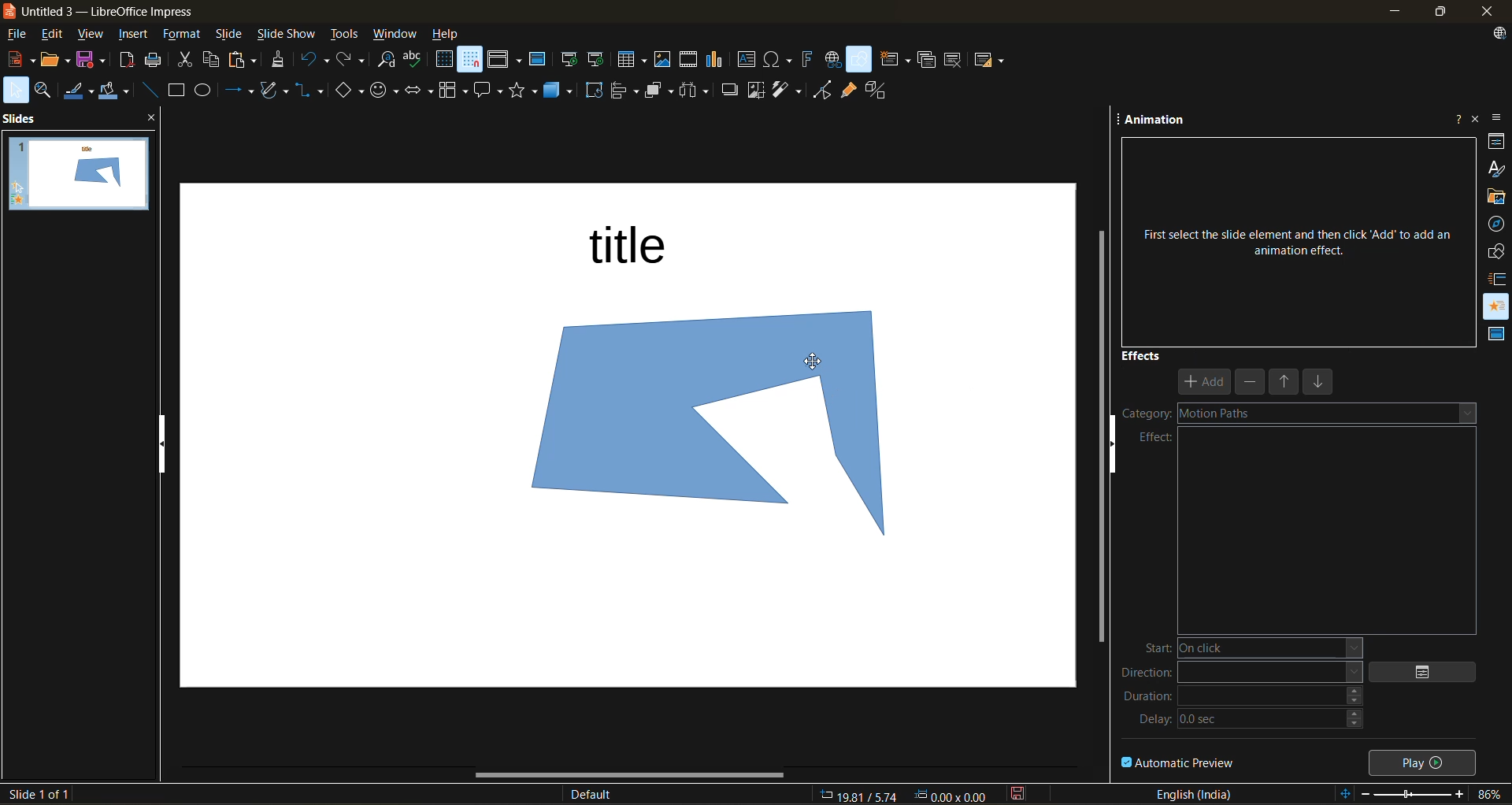  What do you see at coordinates (491, 91) in the screenshot?
I see `call out shapes` at bounding box center [491, 91].